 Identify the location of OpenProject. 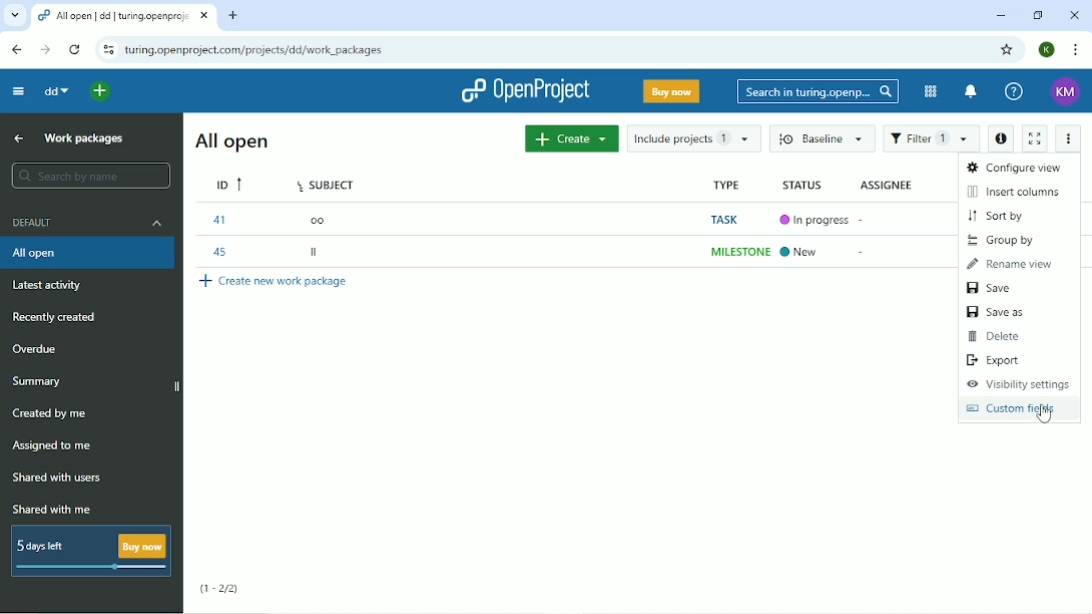
(525, 90).